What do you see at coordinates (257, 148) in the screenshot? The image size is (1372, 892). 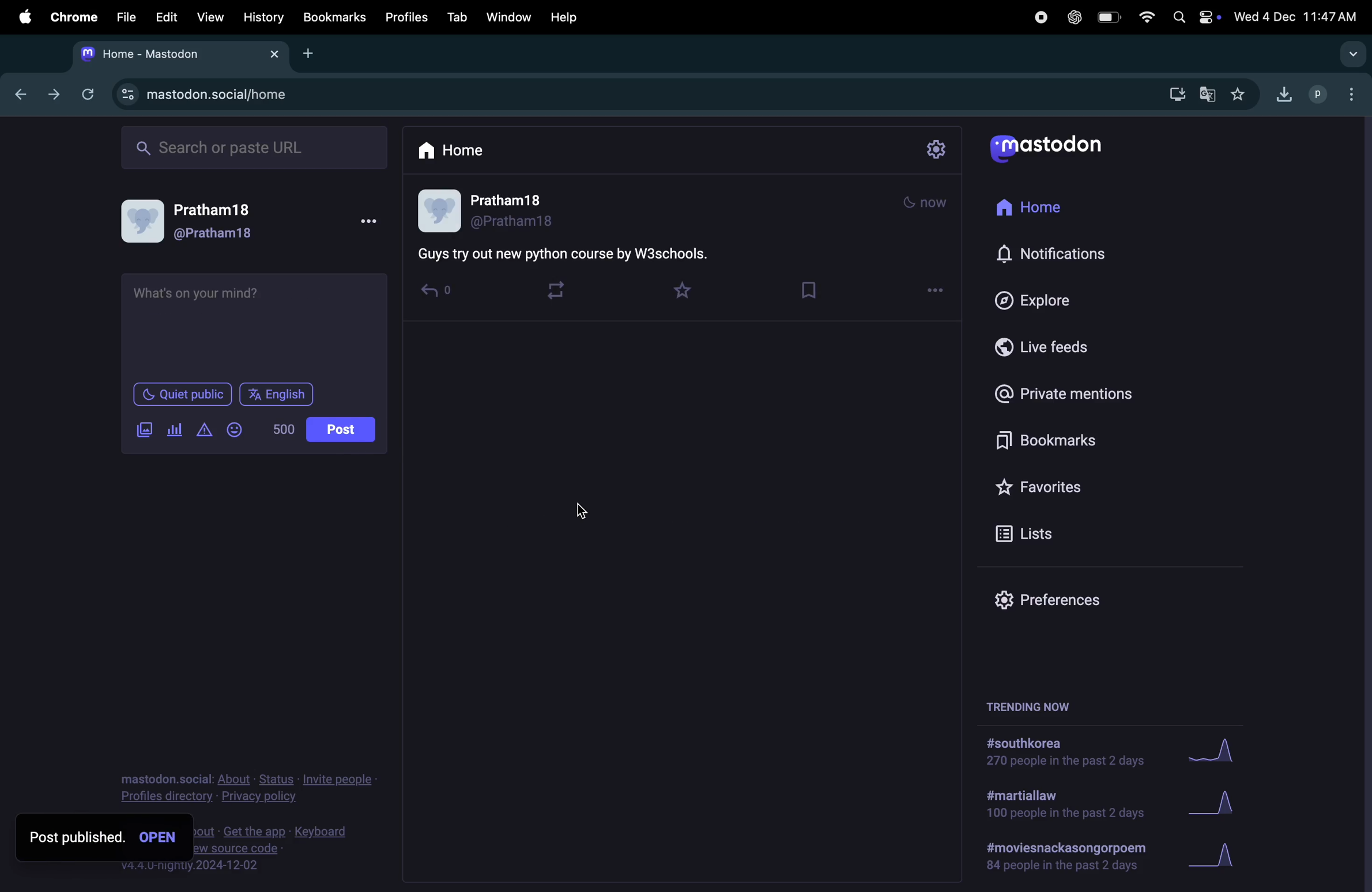 I see `Search Url` at bounding box center [257, 148].